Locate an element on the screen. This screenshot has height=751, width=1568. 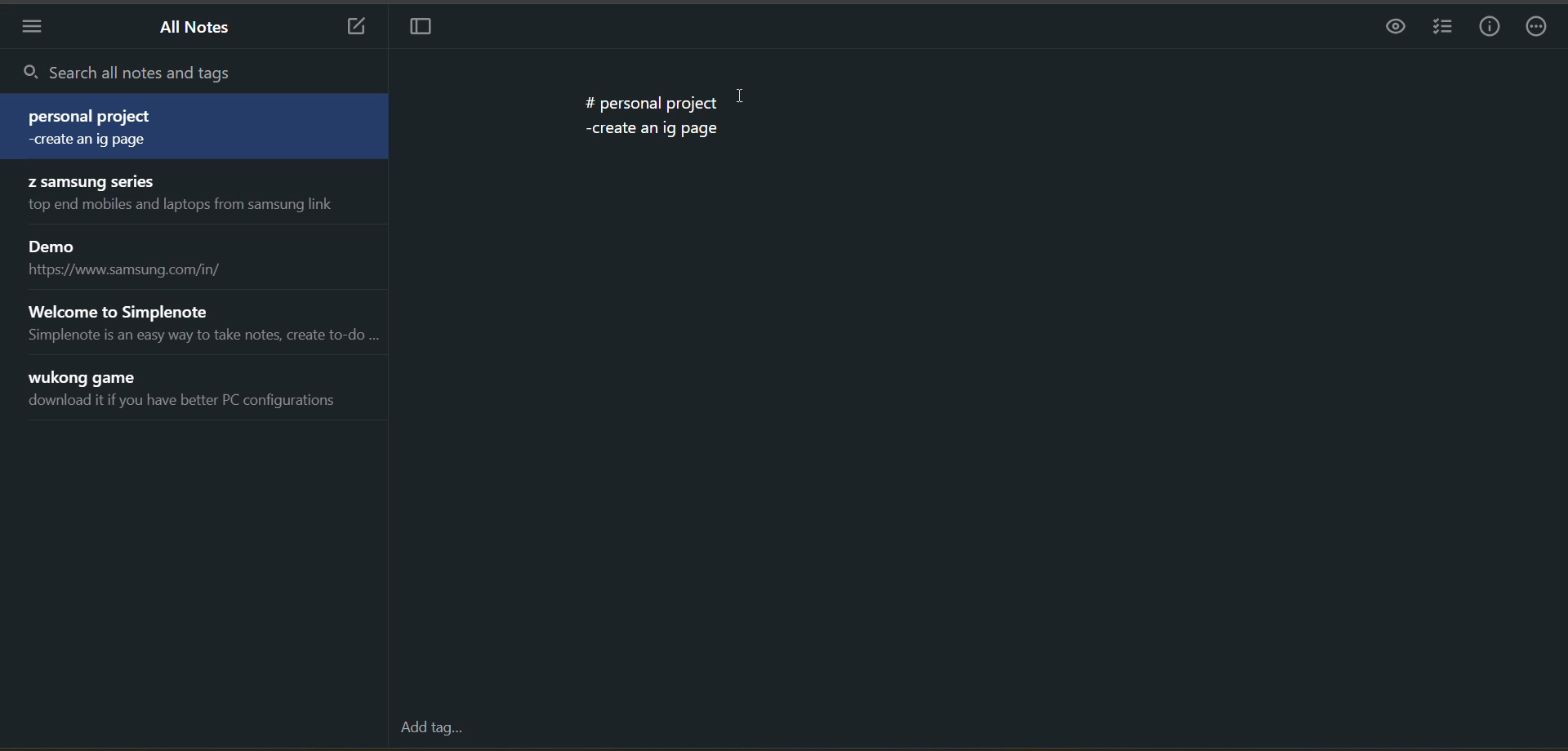
note title and preview is located at coordinates (142, 256).